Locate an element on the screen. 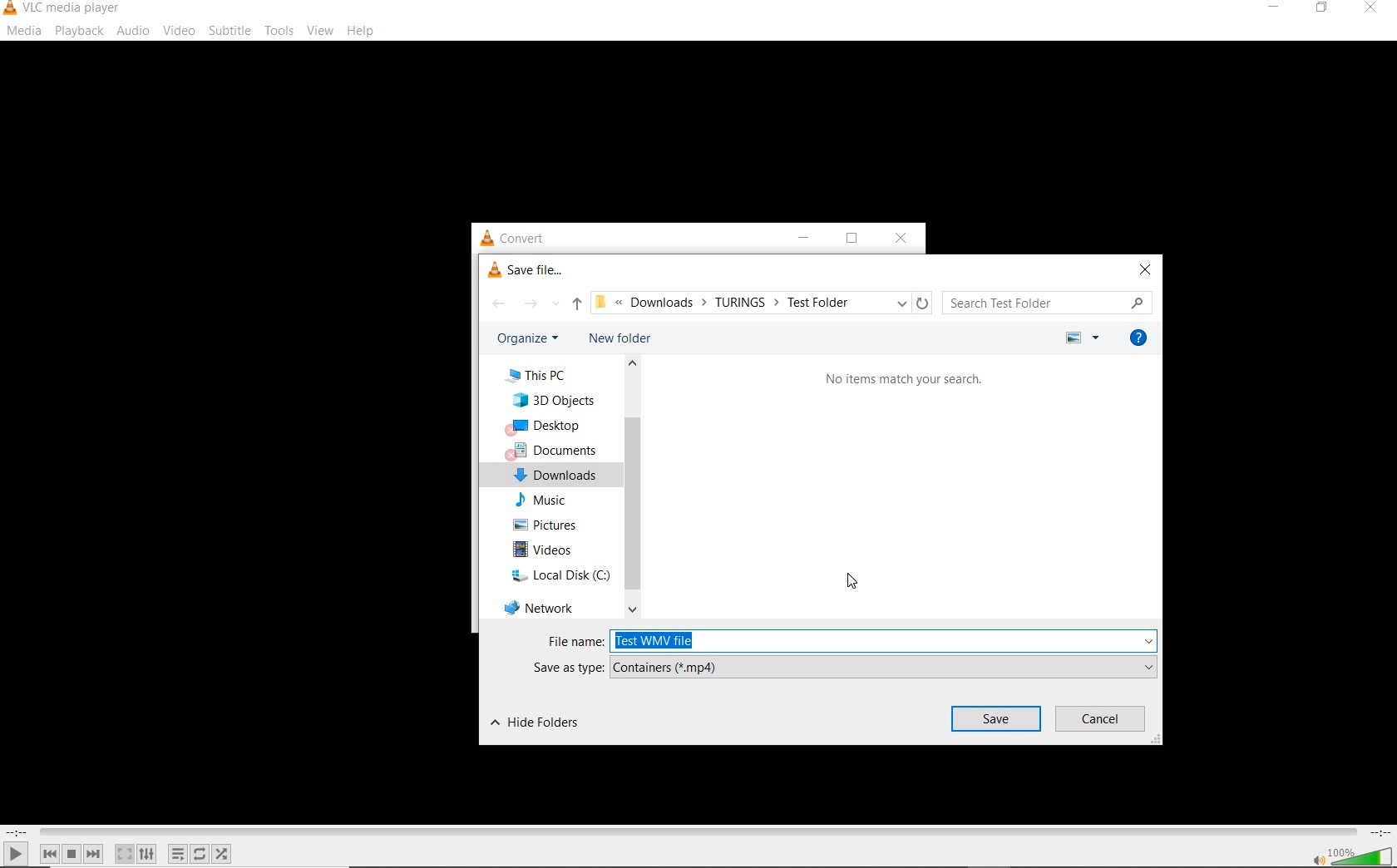 The height and width of the screenshot is (868, 1397). hide folders is located at coordinates (536, 723).